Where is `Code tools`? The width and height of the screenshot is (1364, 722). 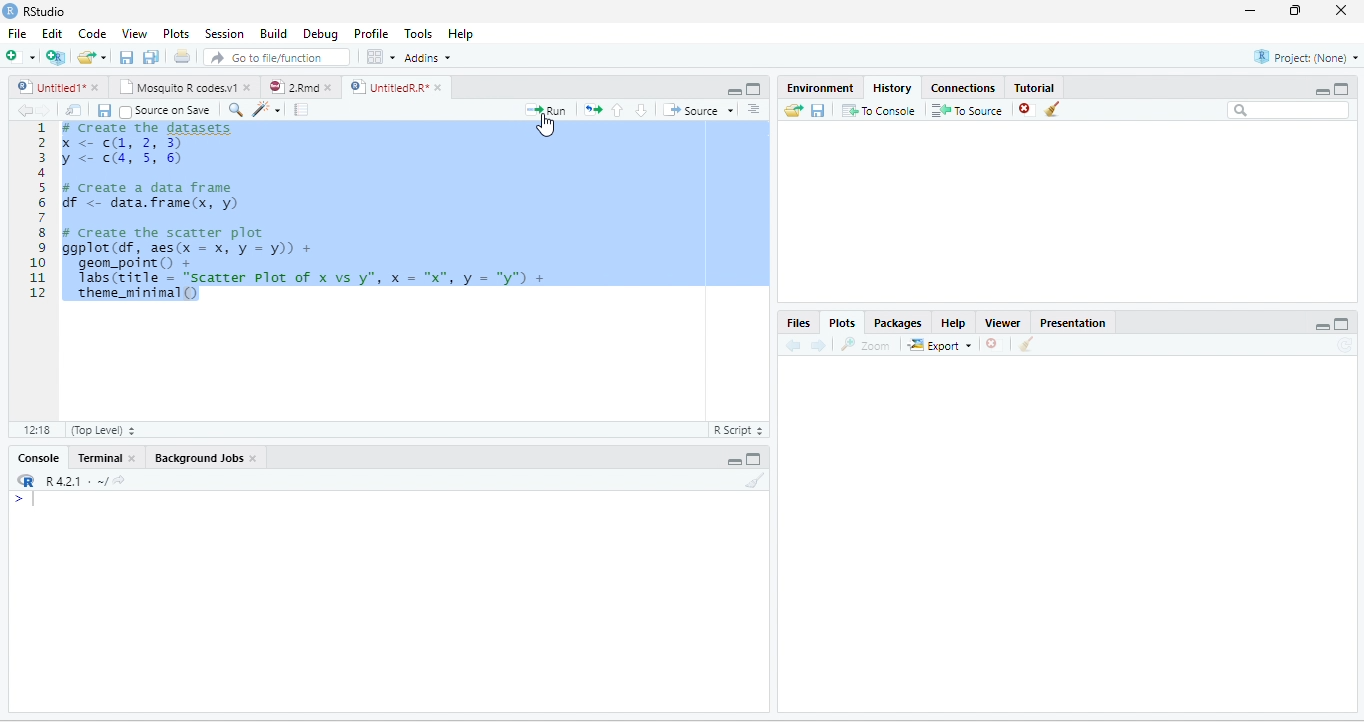
Code tools is located at coordinates (268, 110).